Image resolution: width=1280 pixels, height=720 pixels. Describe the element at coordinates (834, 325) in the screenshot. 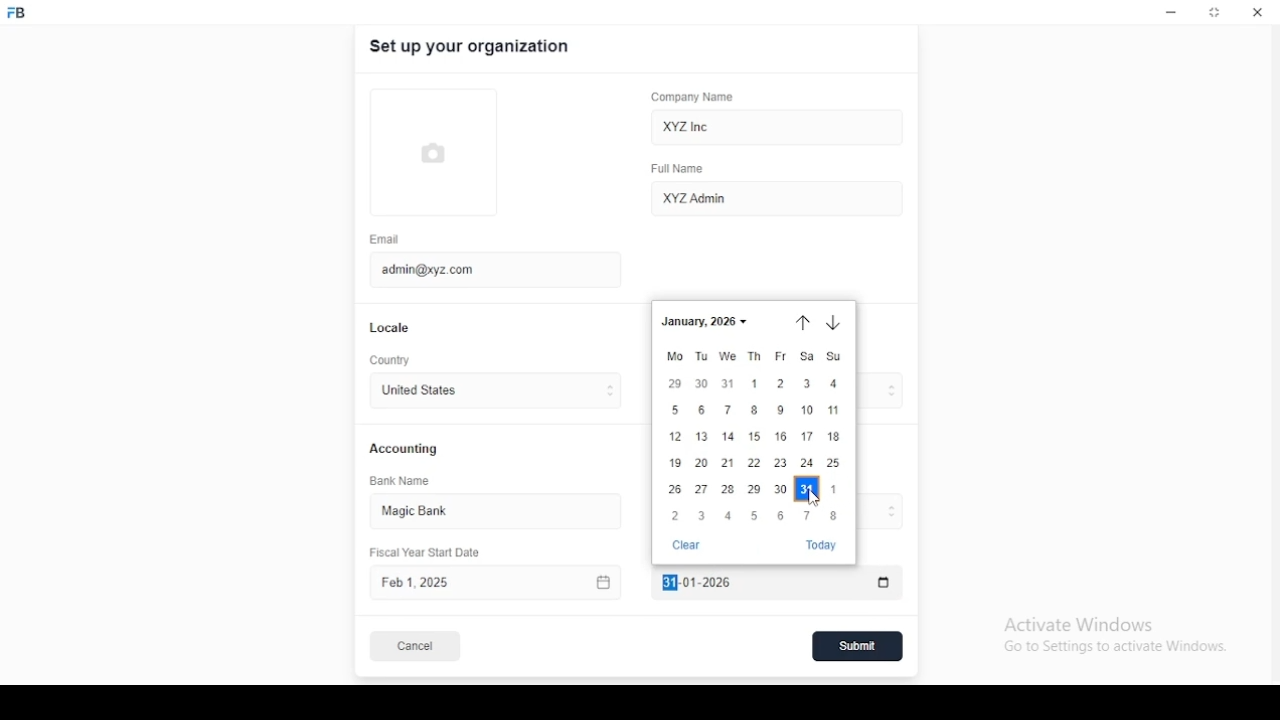

I see `next month` at that location.